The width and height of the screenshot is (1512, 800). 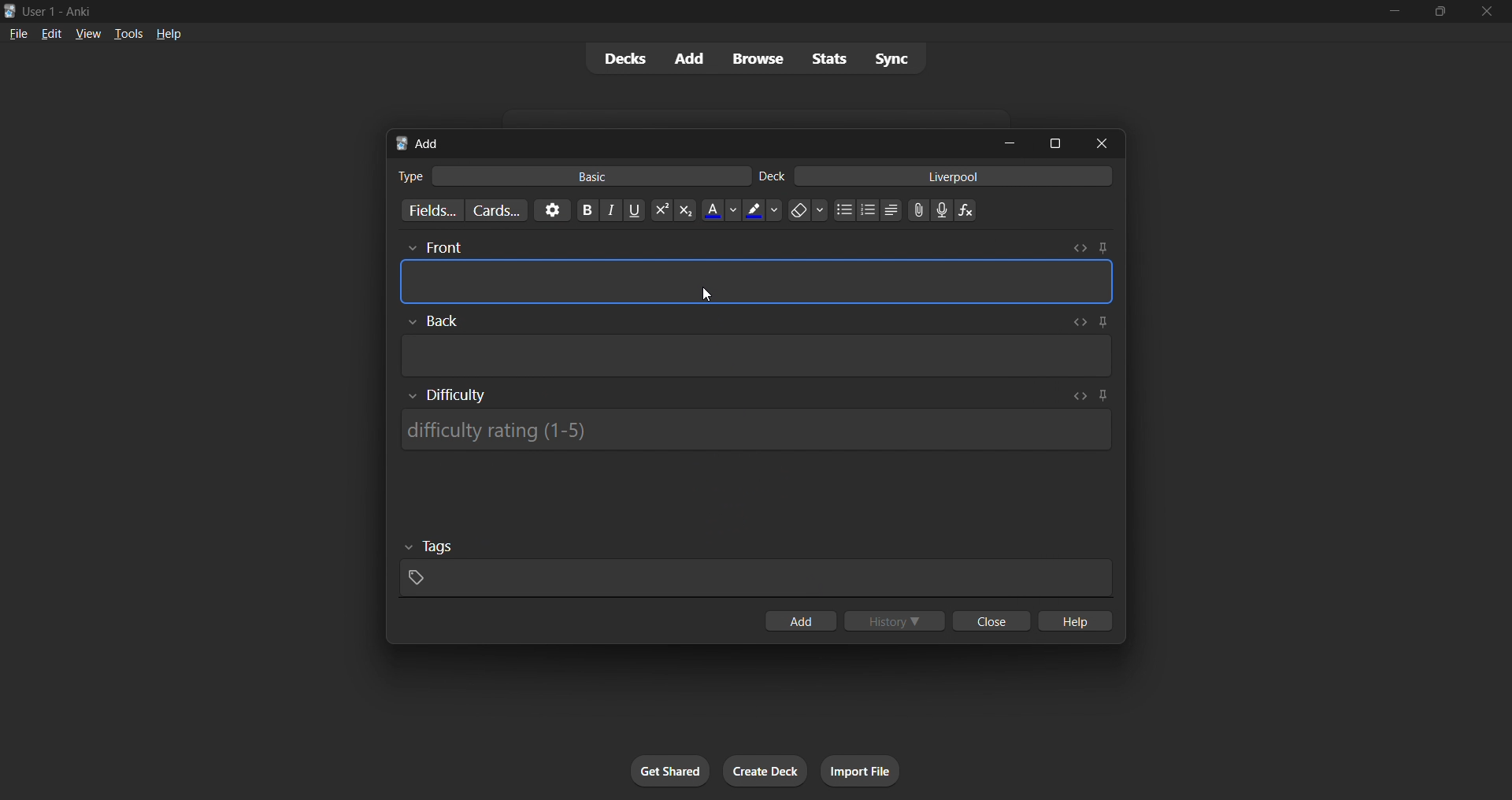 I want to click on Text, so click(x=409, y=176).